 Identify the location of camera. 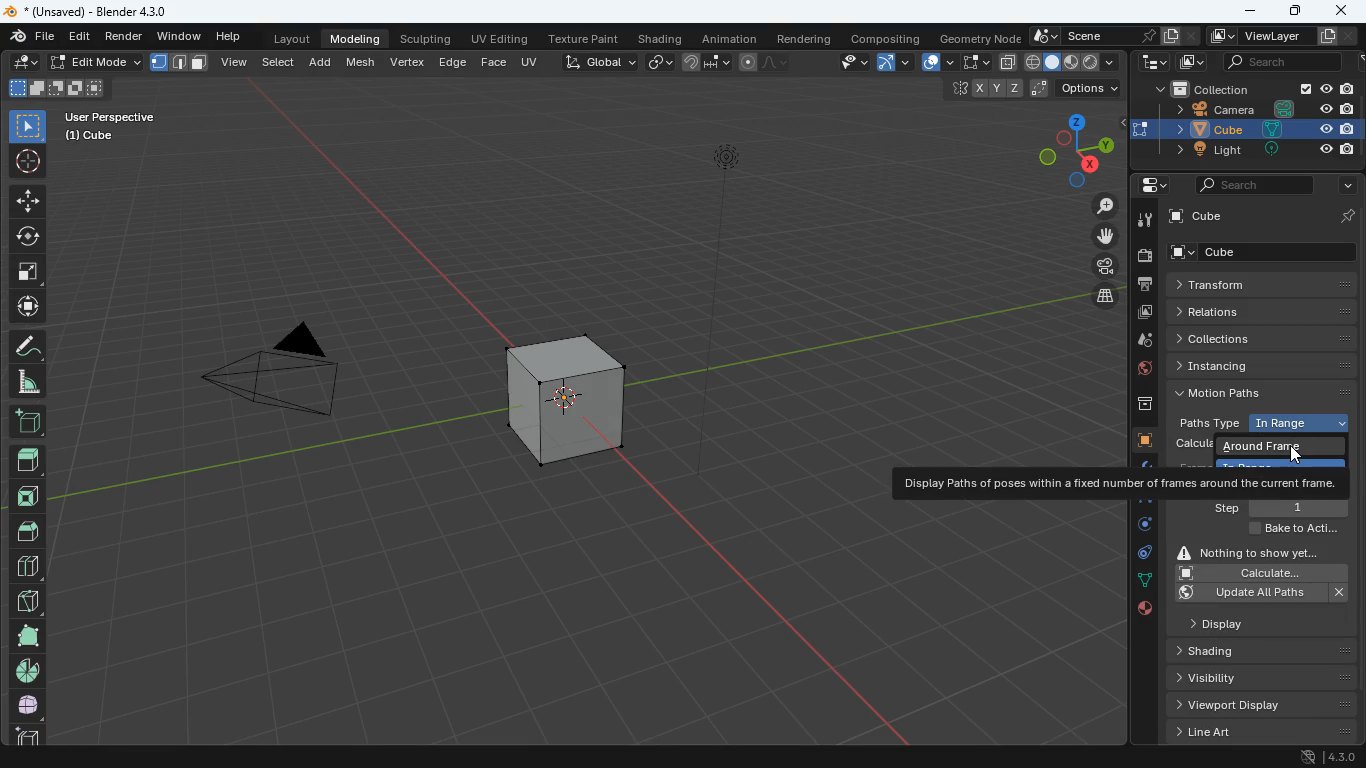
(1143, 256).